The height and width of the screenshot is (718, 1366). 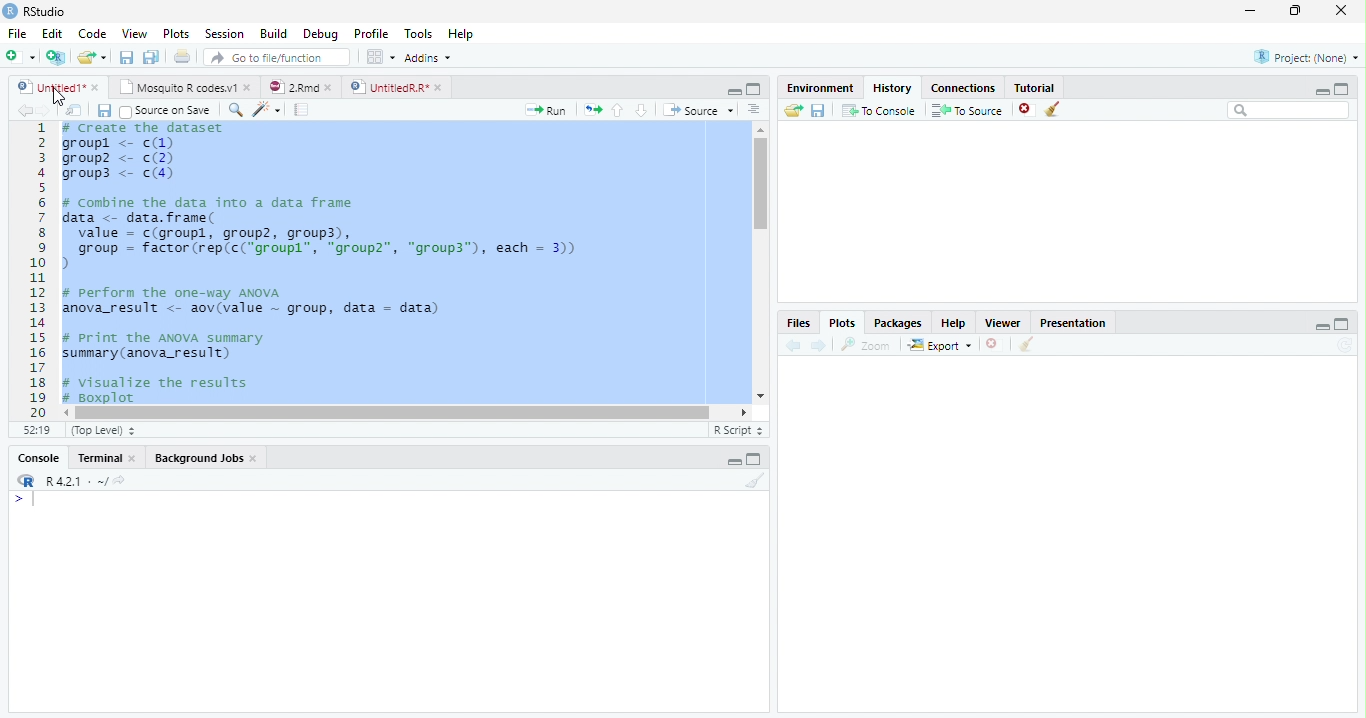 I want to click on background jobs, so click(x=207, y=460).